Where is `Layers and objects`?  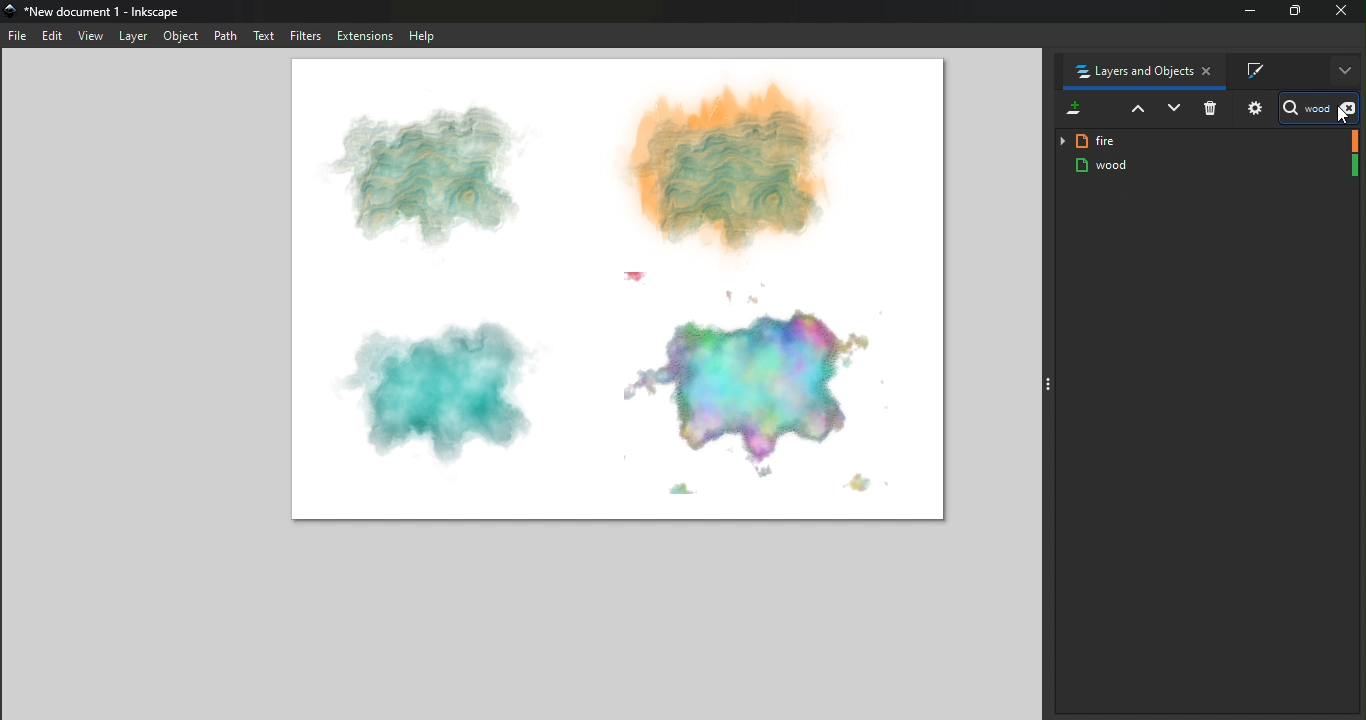 Layers and objects is located at coordinates (1137, 70).